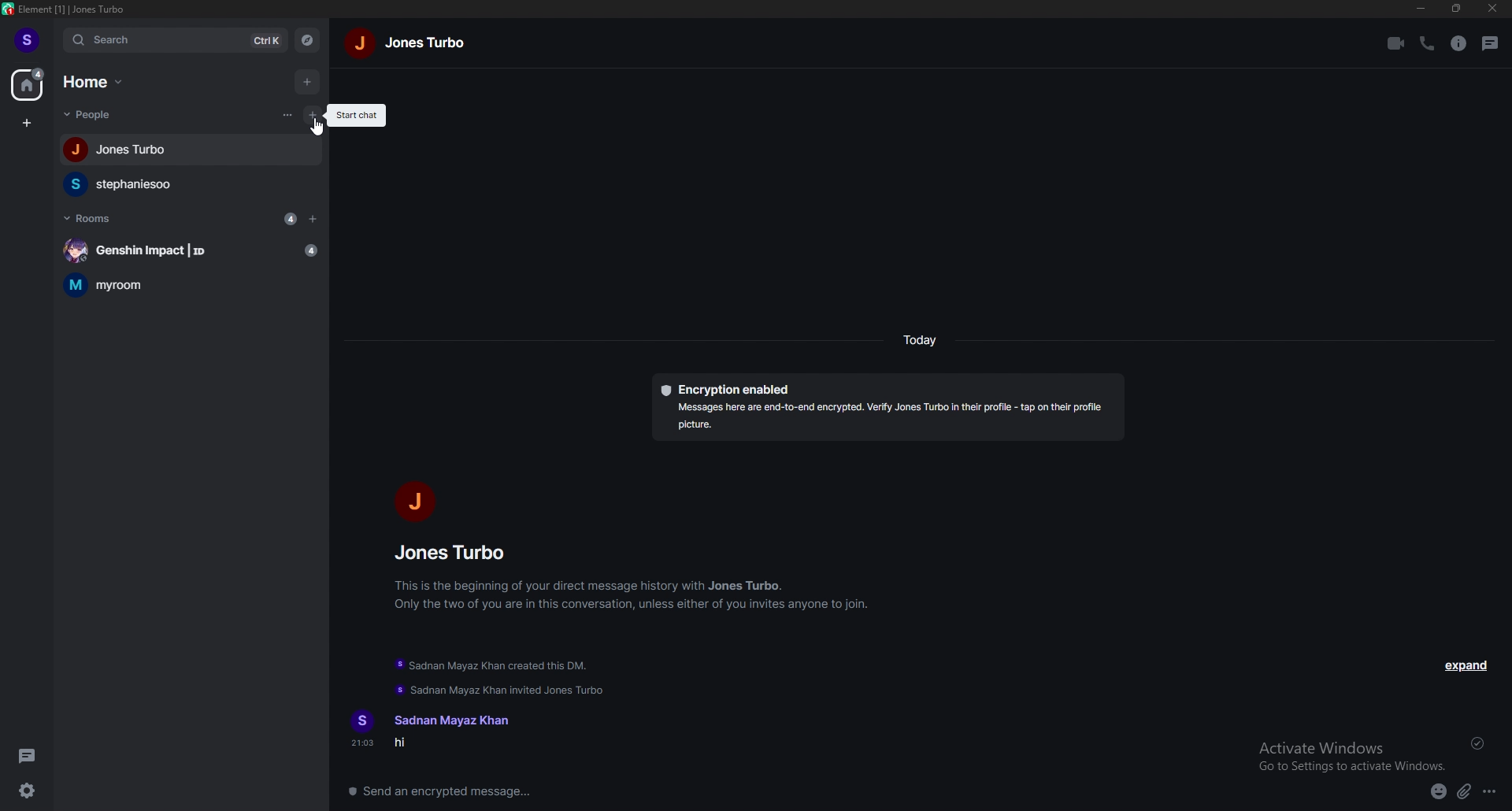 This screenshot has height=811, width=1512. What do you see at coordinates (315, 124) in the screenshot?
I see `cursor` at bounding box center [315, 124].